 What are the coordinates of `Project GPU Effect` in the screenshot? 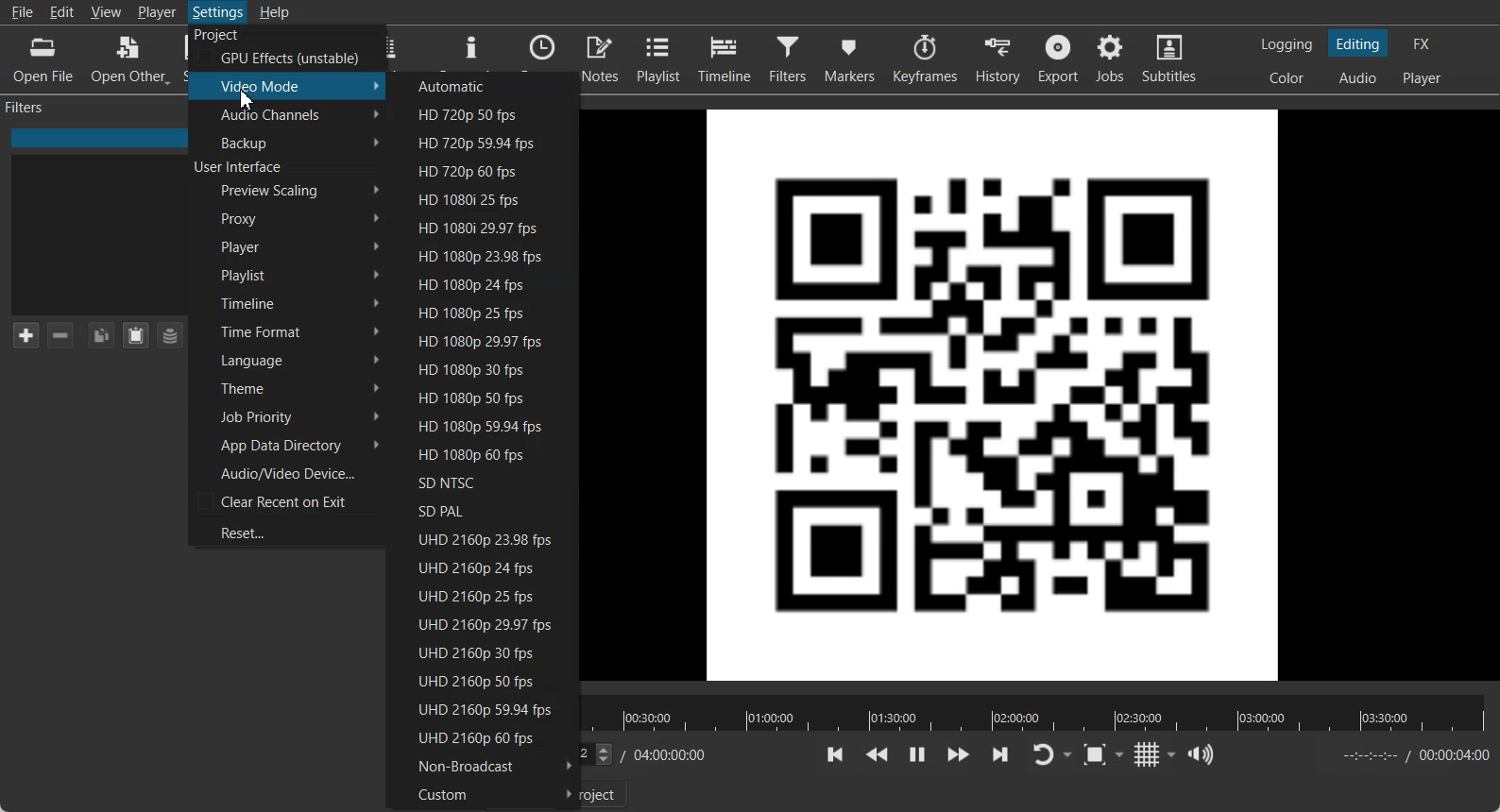 It's located at (284, 47).